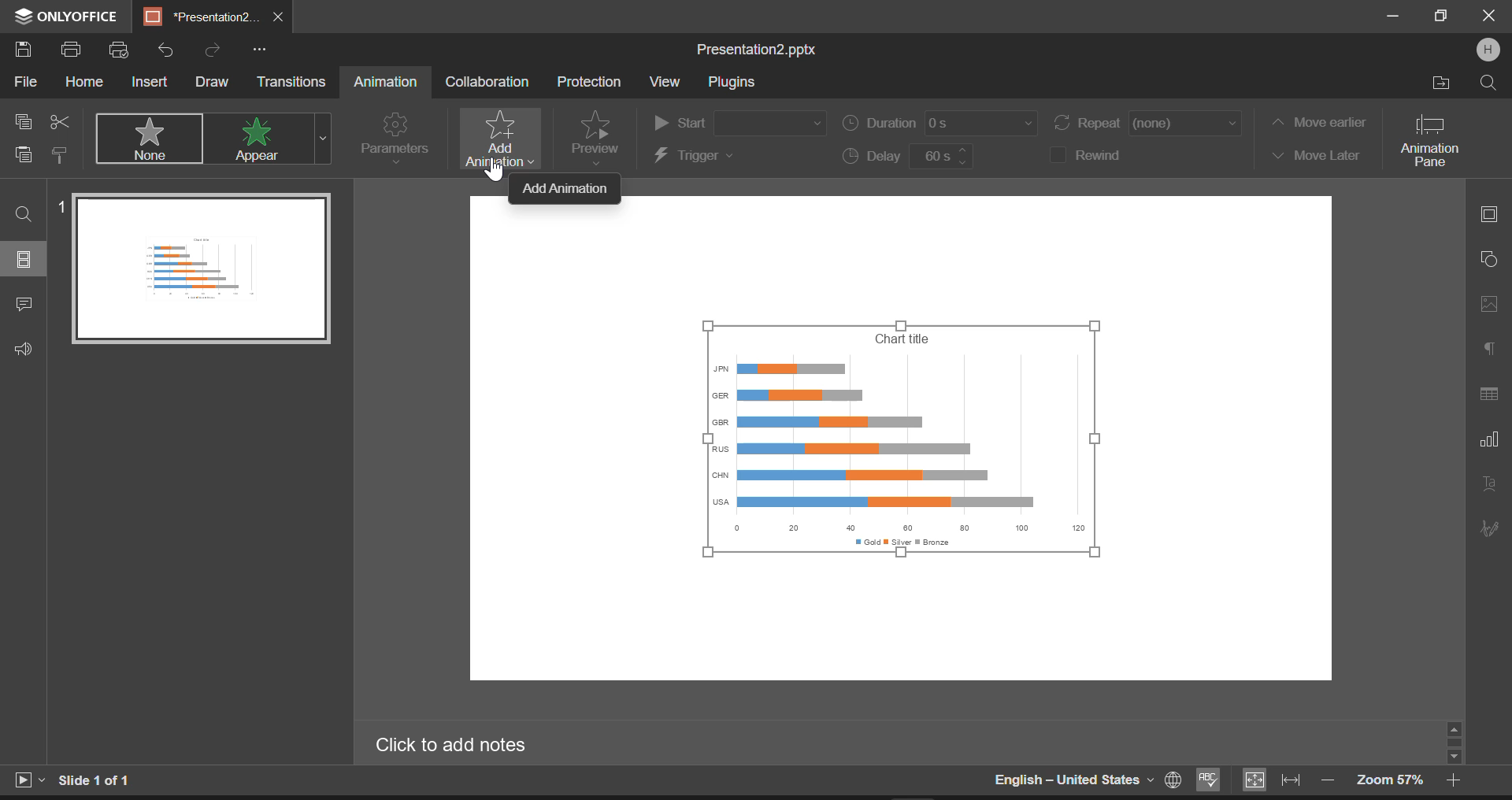 This screenshot has height=800, width=1512. I want to click on Draw, so click(213, 81).